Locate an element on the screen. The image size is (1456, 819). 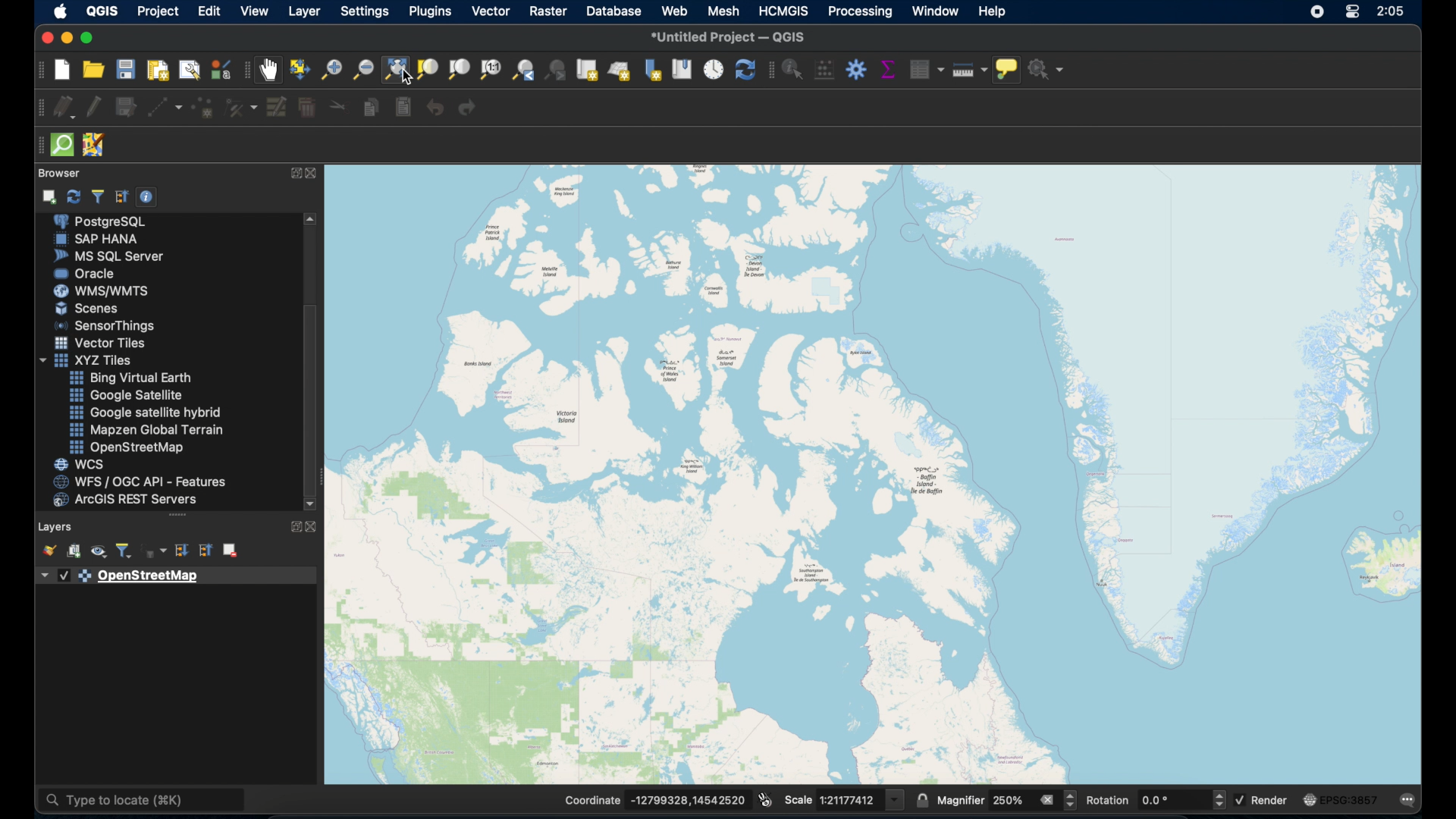
arcGIS rest server is located at coordinates (124, 500).